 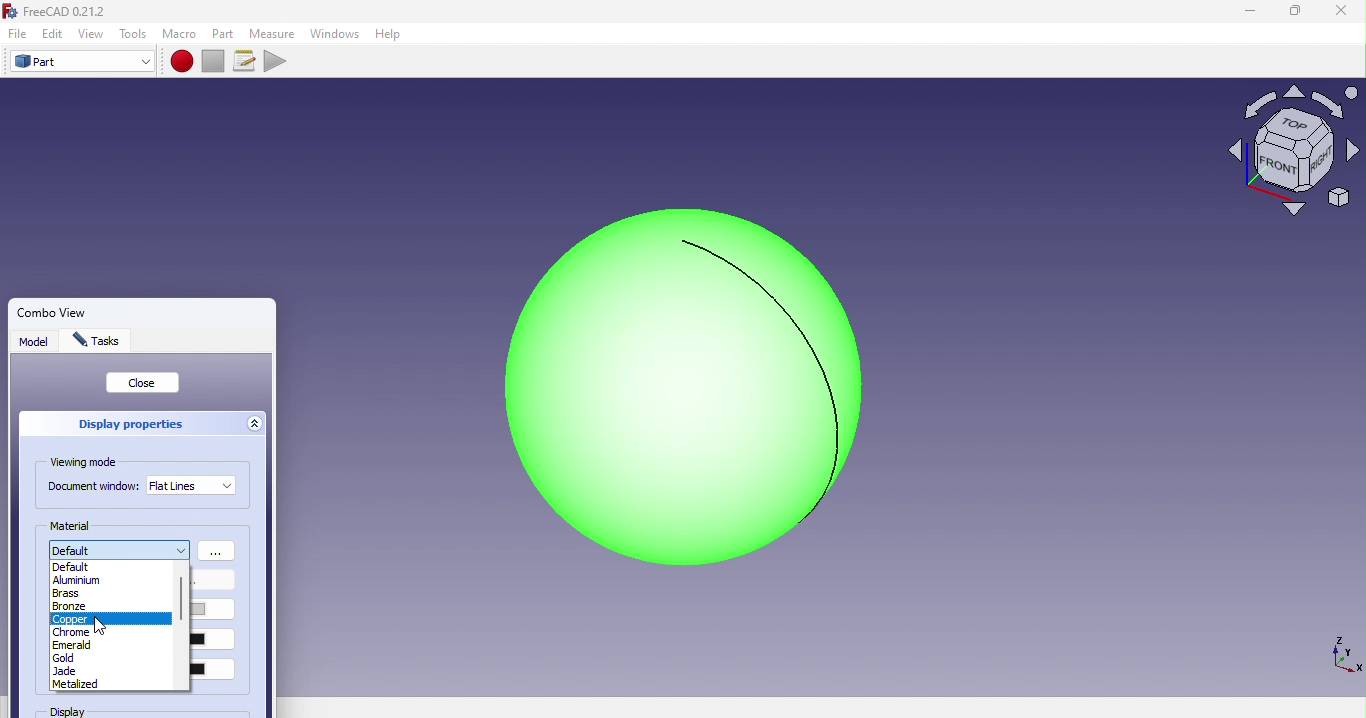 I want to click on Windows, so click(x=334, y=34).